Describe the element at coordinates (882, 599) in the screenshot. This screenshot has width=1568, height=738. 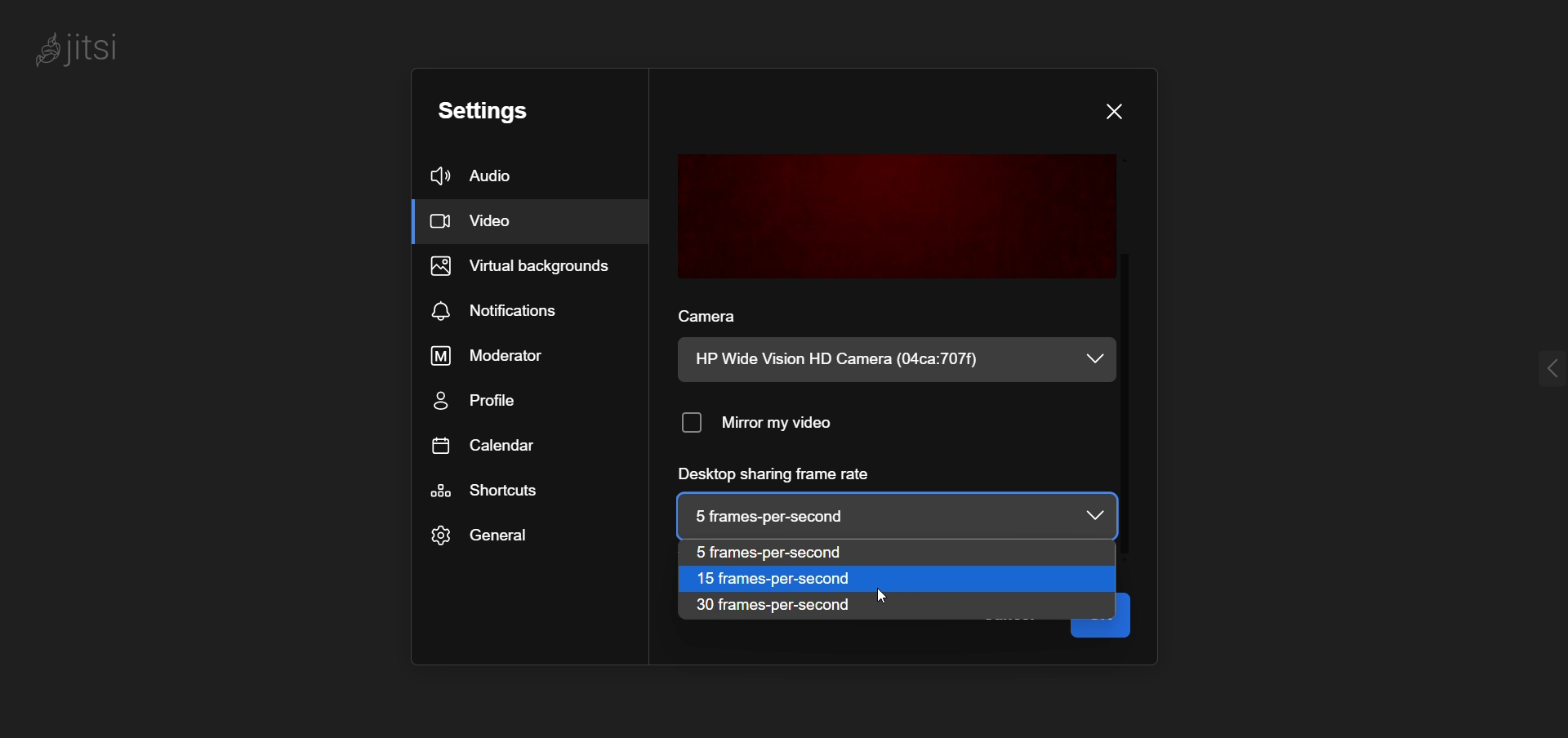
I see `cursor` at that location.